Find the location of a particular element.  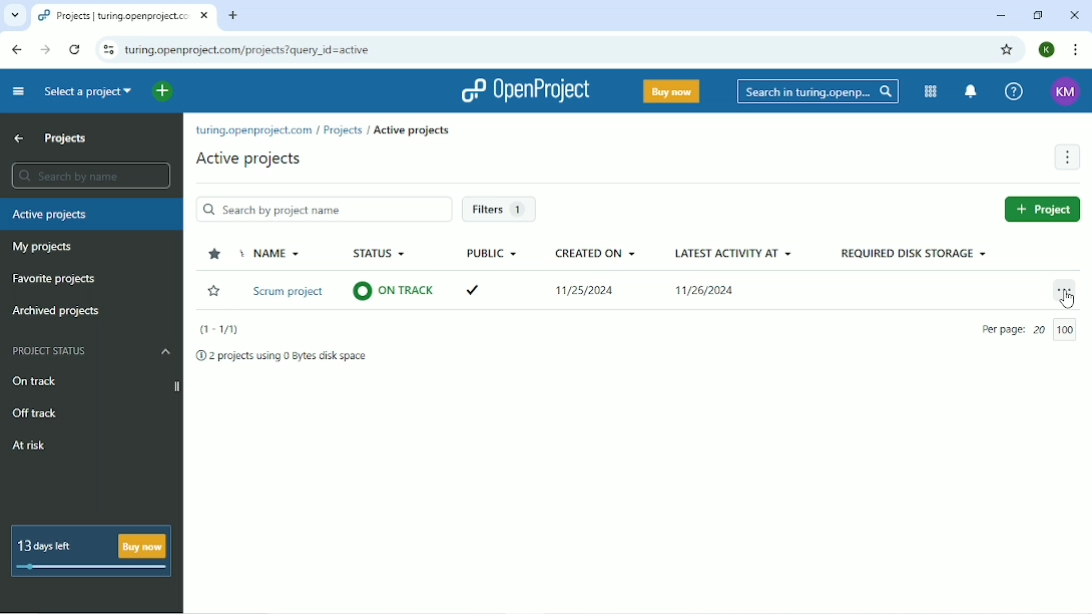

2 projects using 0 Bytes disk space is located at coordinates (284, 356).